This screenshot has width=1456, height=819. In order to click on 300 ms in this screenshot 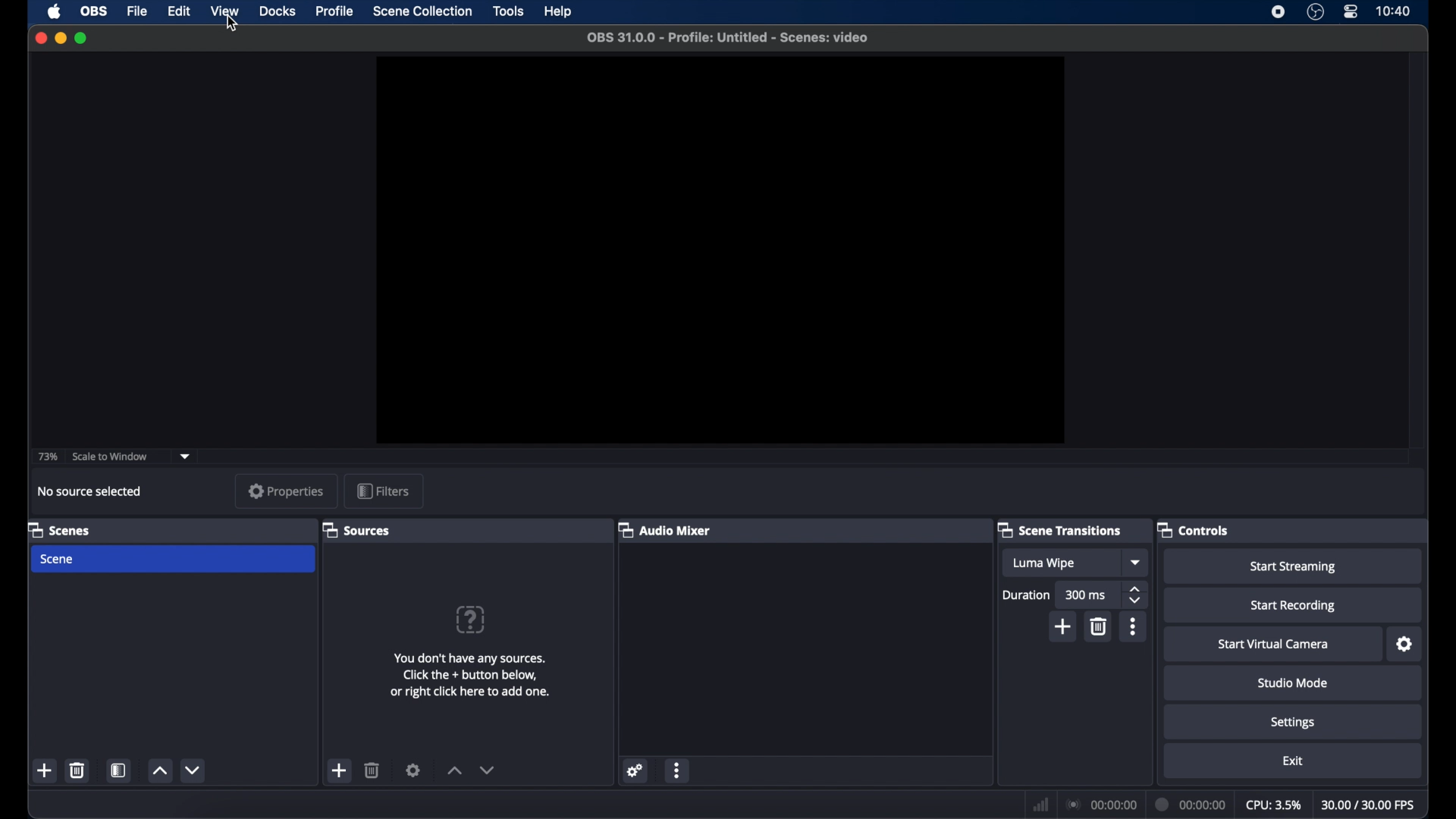, I will do `click(1087, 595)`.